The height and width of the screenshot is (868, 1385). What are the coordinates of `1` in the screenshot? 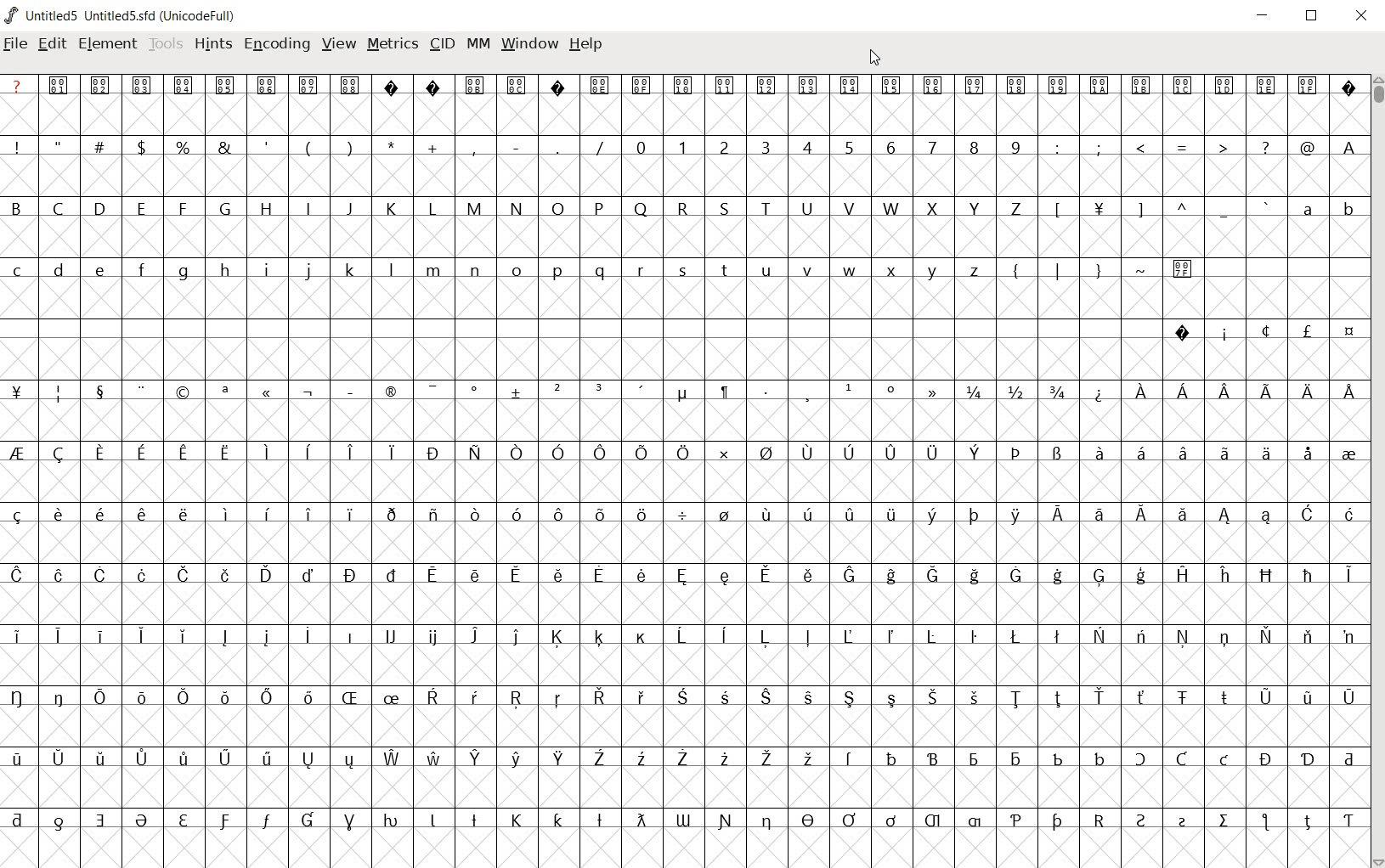 It's located at (681, 146).